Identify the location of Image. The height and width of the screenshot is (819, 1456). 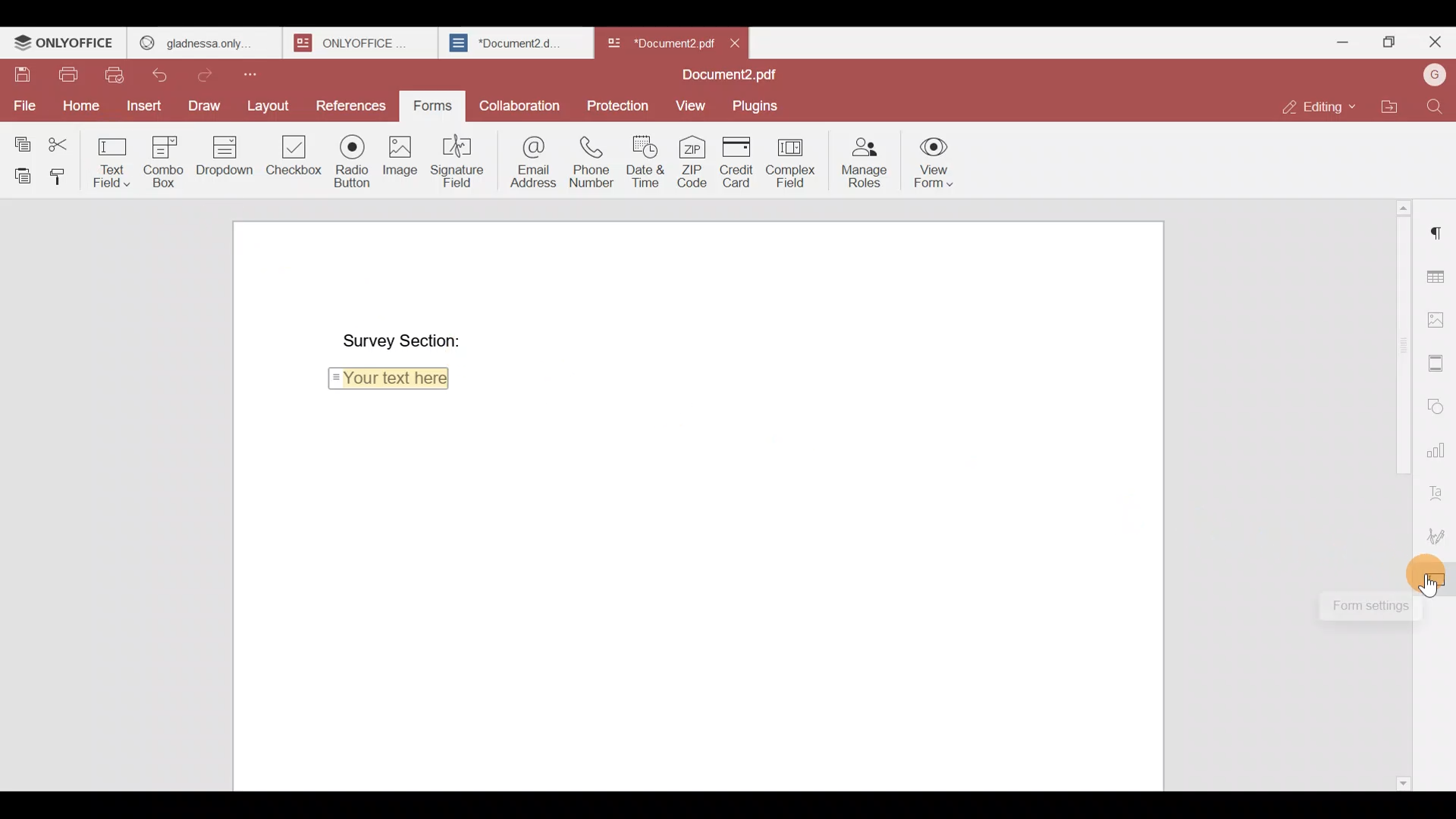
(399, 158).